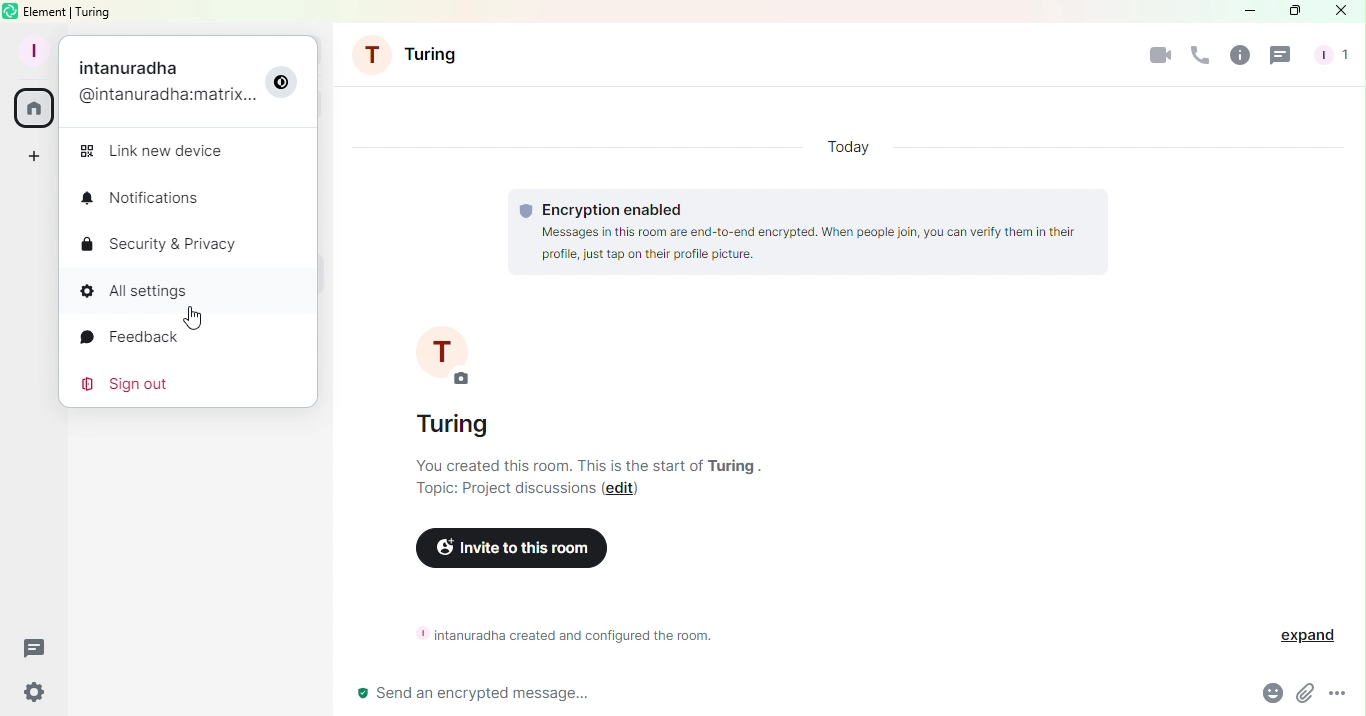 Image resolution: width=1366 pixels, height=716 pixels. What do you see at coordinates (455, 423) in the screenshot?
I see `turing` at bounding box center [455, 423].